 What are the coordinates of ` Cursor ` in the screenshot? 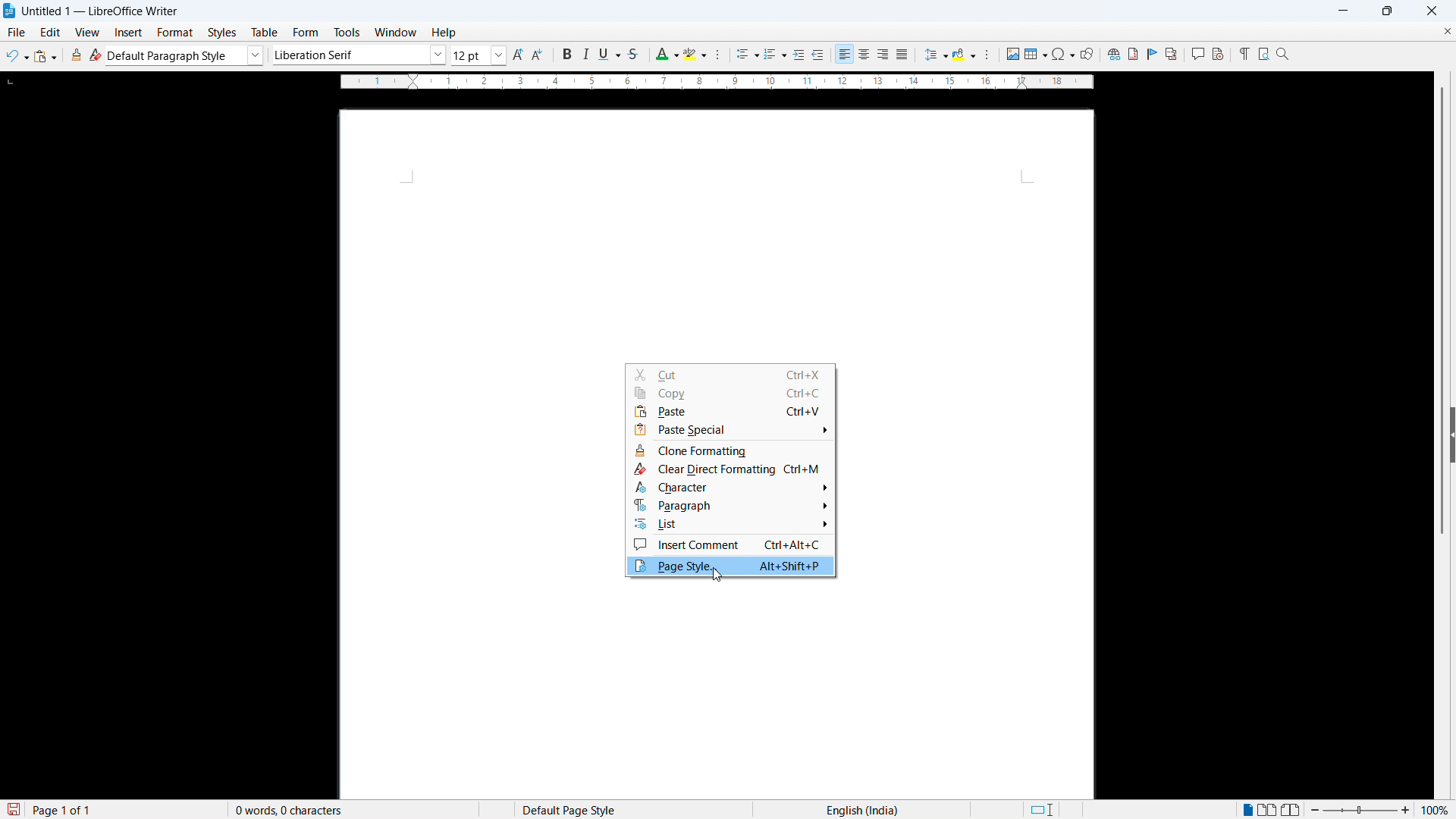 It's located at (717, 575).